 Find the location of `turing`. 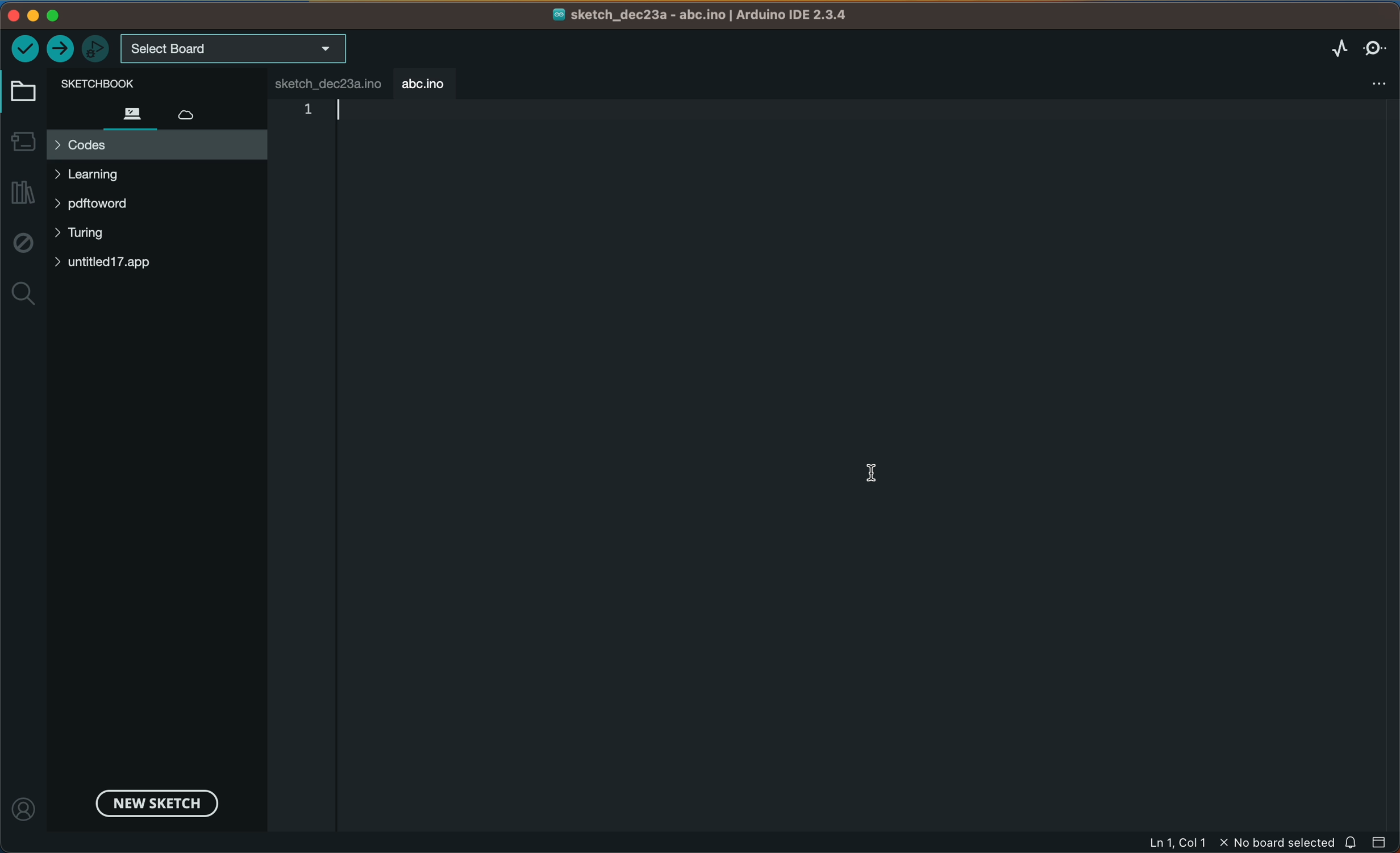

turing is located at coordinates (88, 235).